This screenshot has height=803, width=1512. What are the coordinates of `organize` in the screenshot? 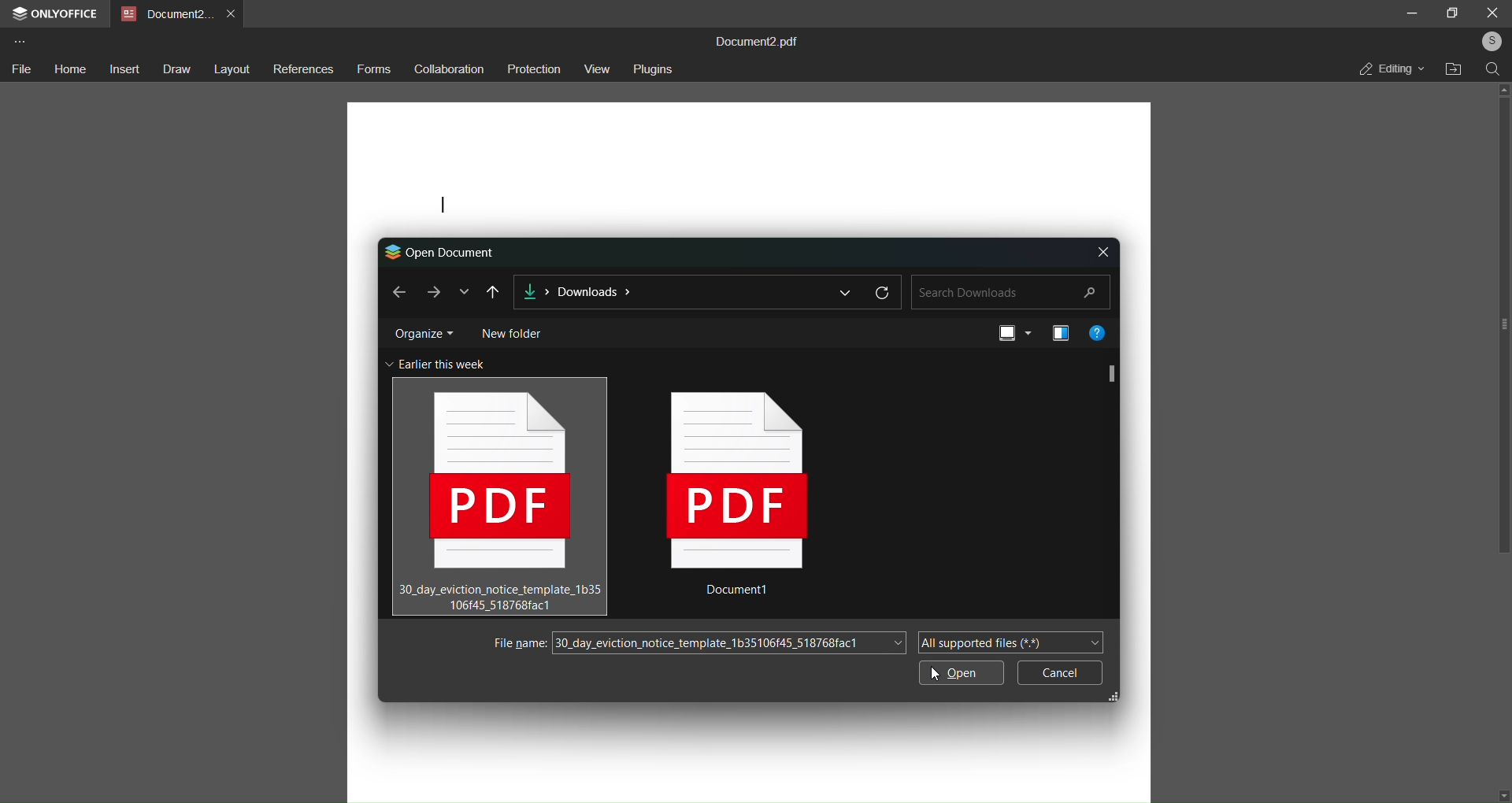 It's located at (423, 331).